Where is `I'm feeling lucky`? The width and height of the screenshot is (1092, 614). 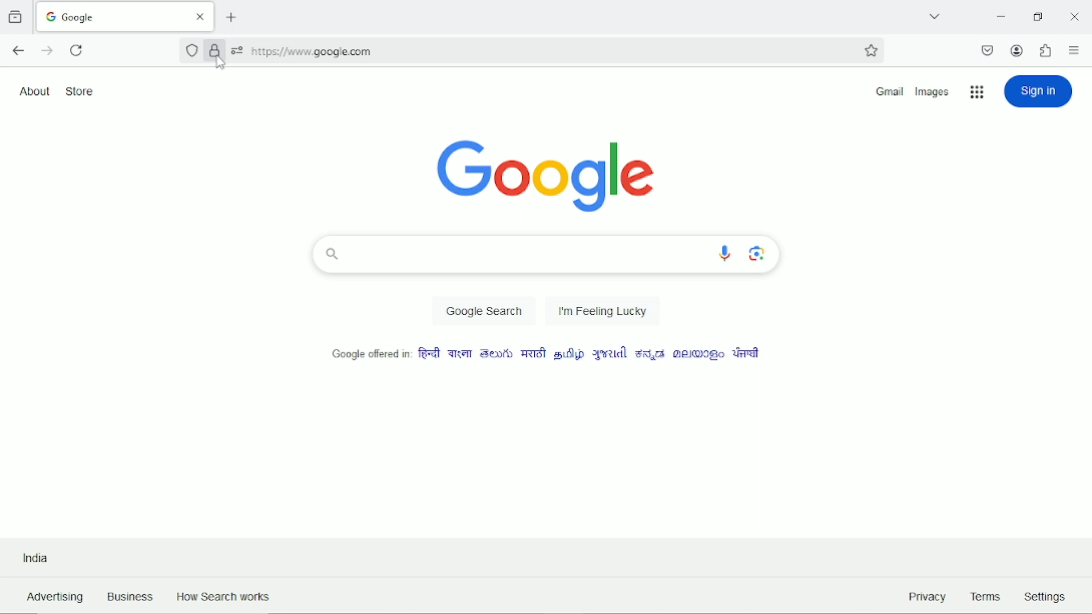 I'm feeling lucky is located at coordinates (603, 311).